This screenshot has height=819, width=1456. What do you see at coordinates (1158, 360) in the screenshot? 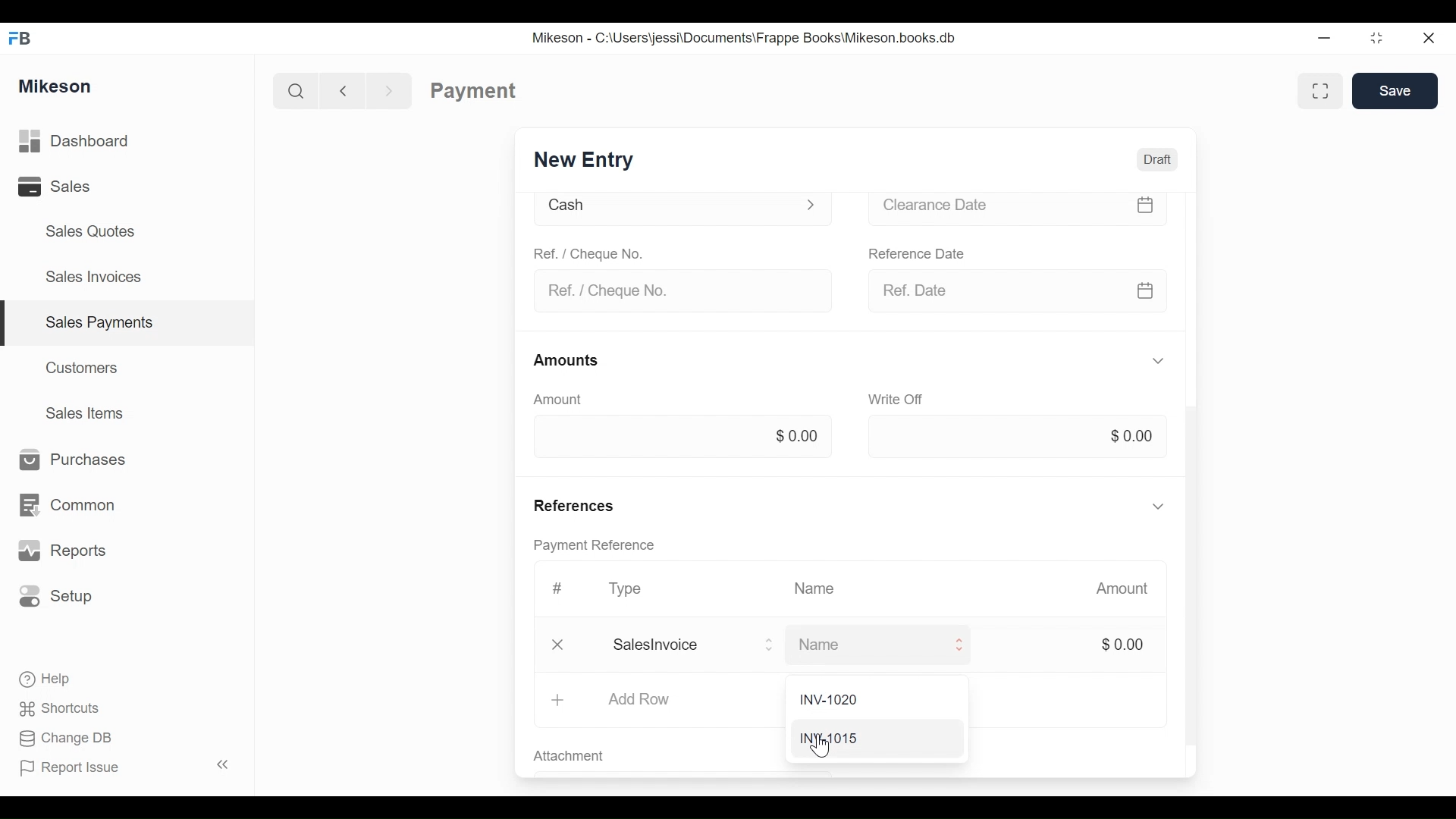
I see `Hide` at bounding box center [1158, 360].